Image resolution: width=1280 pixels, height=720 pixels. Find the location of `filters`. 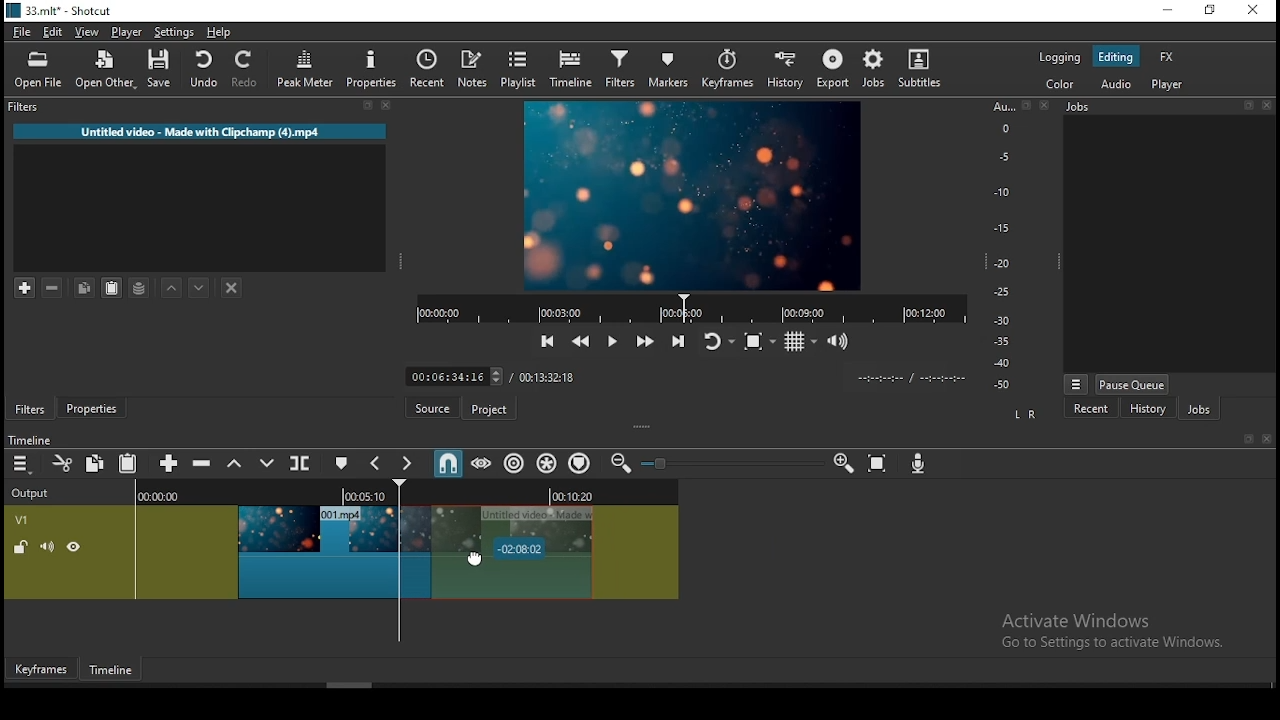

filters is located at coordinates (619, 70).